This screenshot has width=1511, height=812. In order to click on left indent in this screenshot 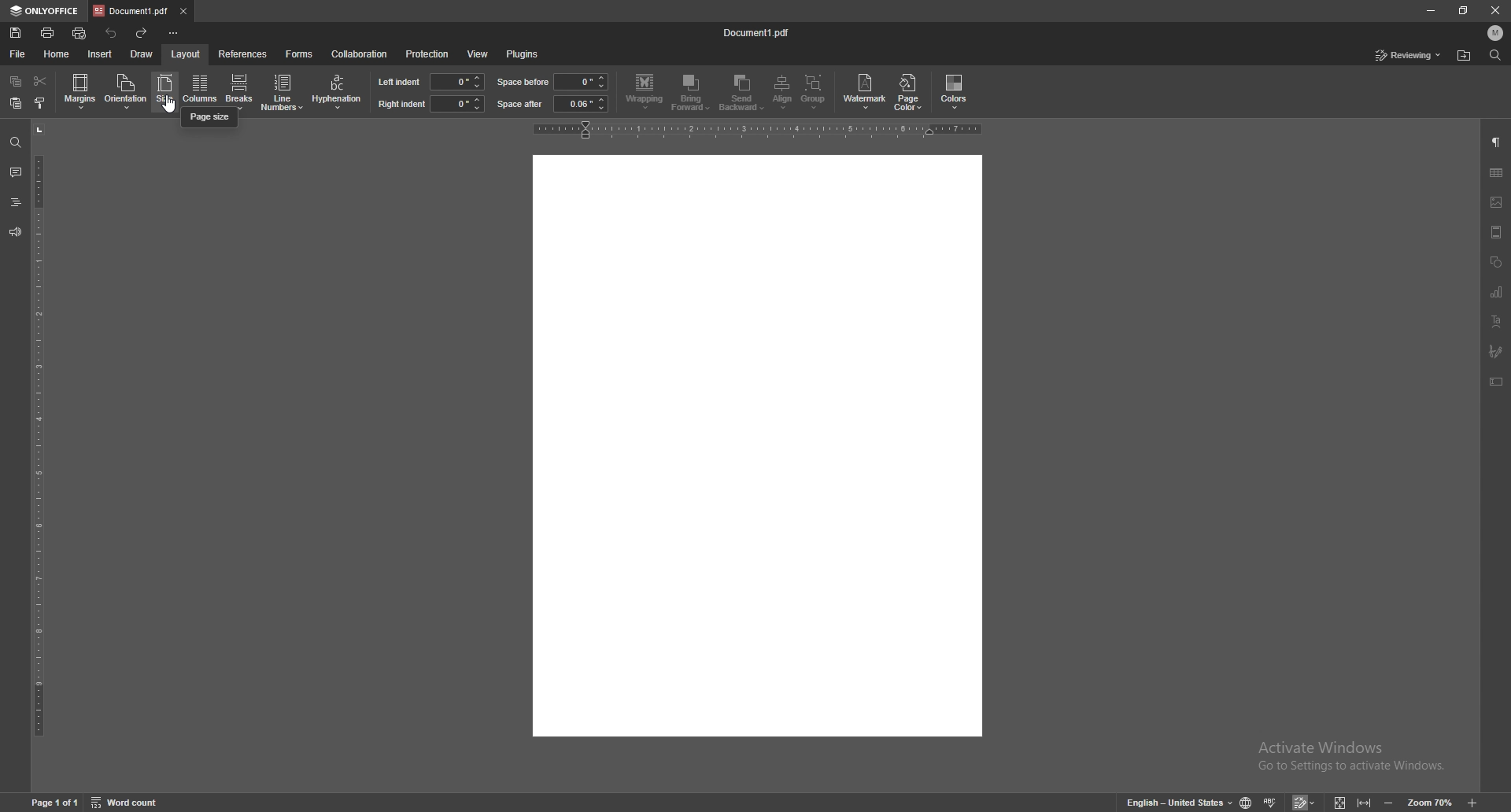, I will do `click(399, 81)`.